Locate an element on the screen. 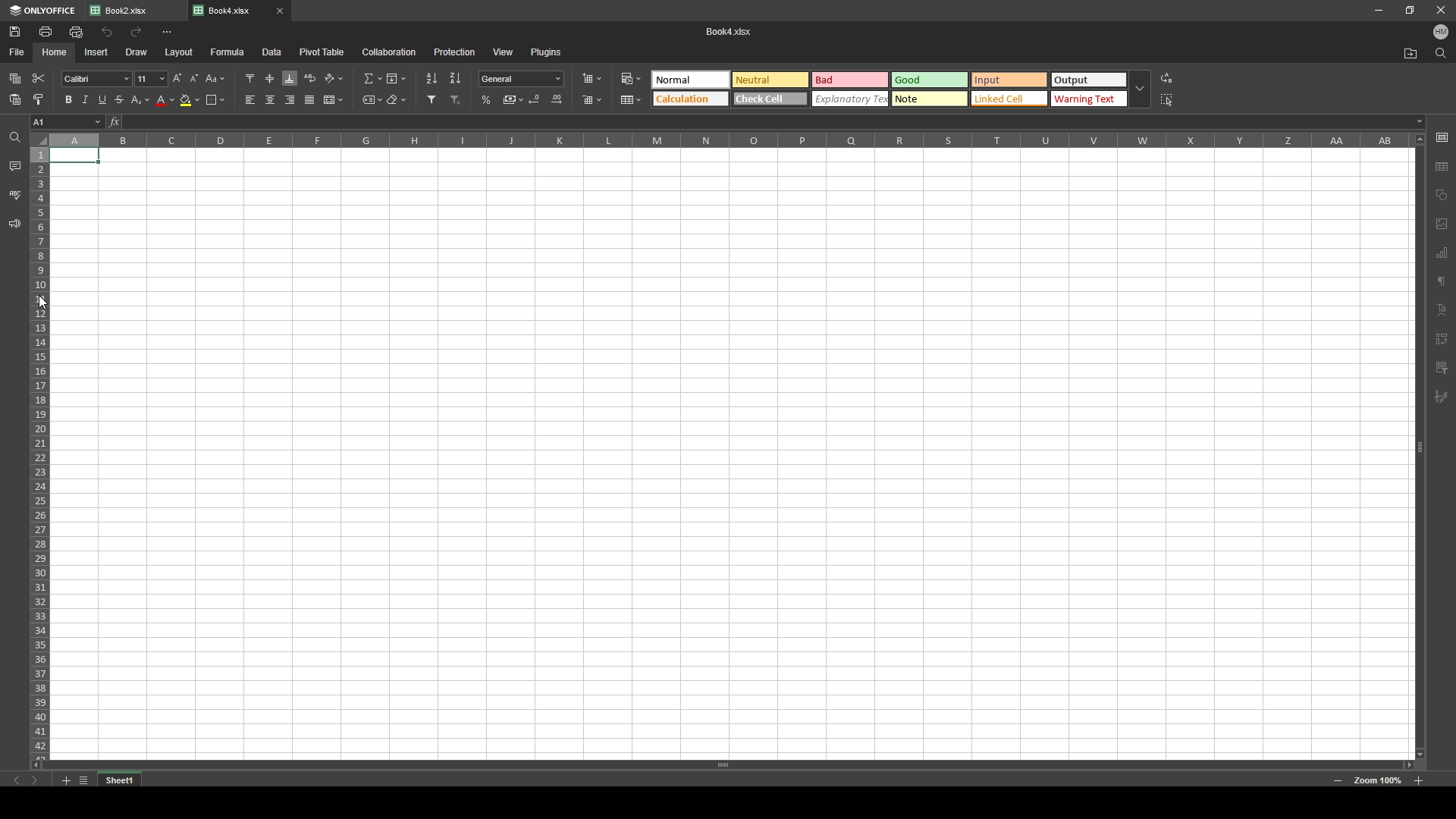 The height and width of the screenshot is (819, 1456). minimize is located at coordinates (1378, 10).